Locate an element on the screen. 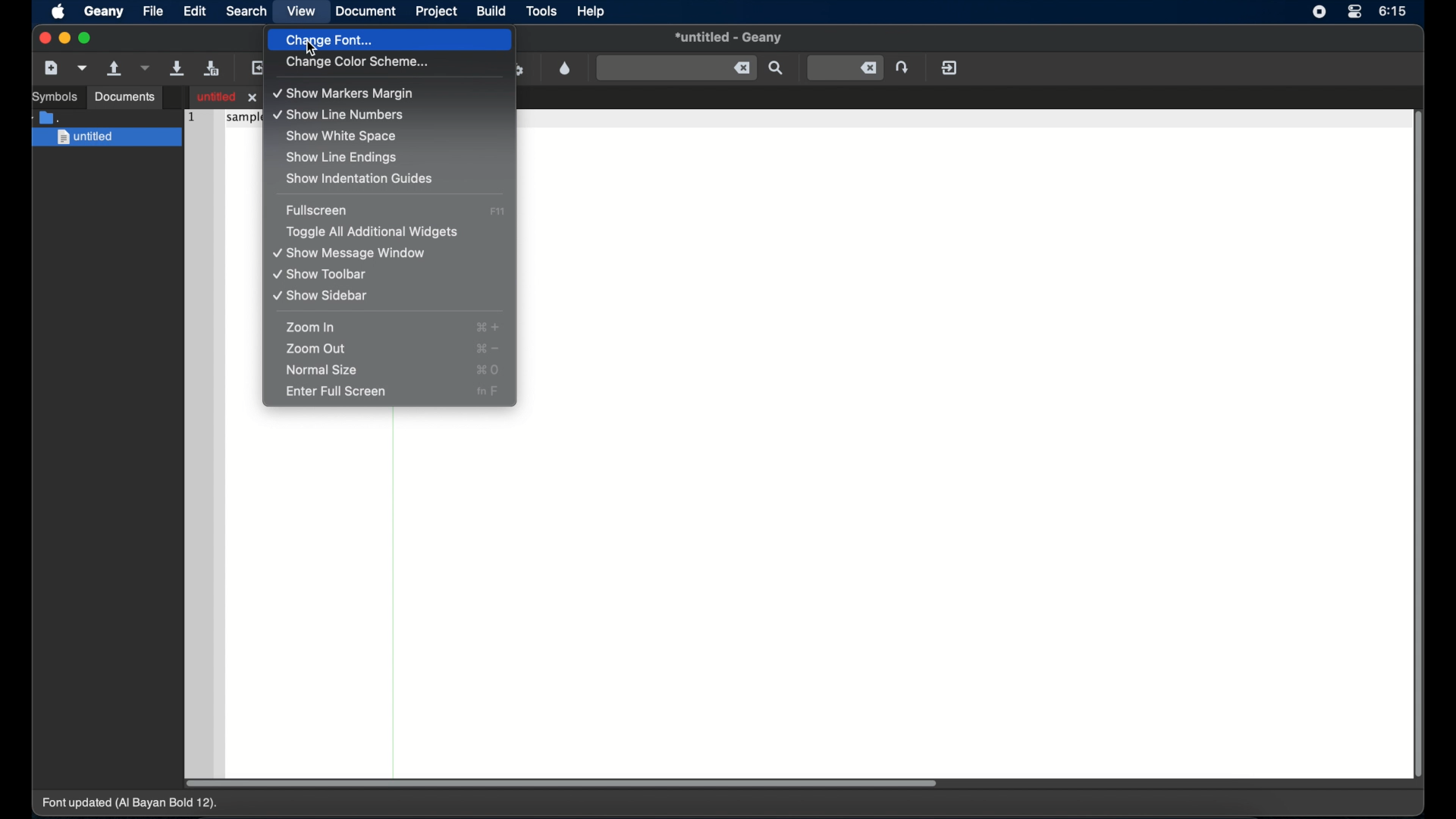 The height and width of the screenshot is (819, 1456). zoom in shortcut  is located at coordinates (488, 328).